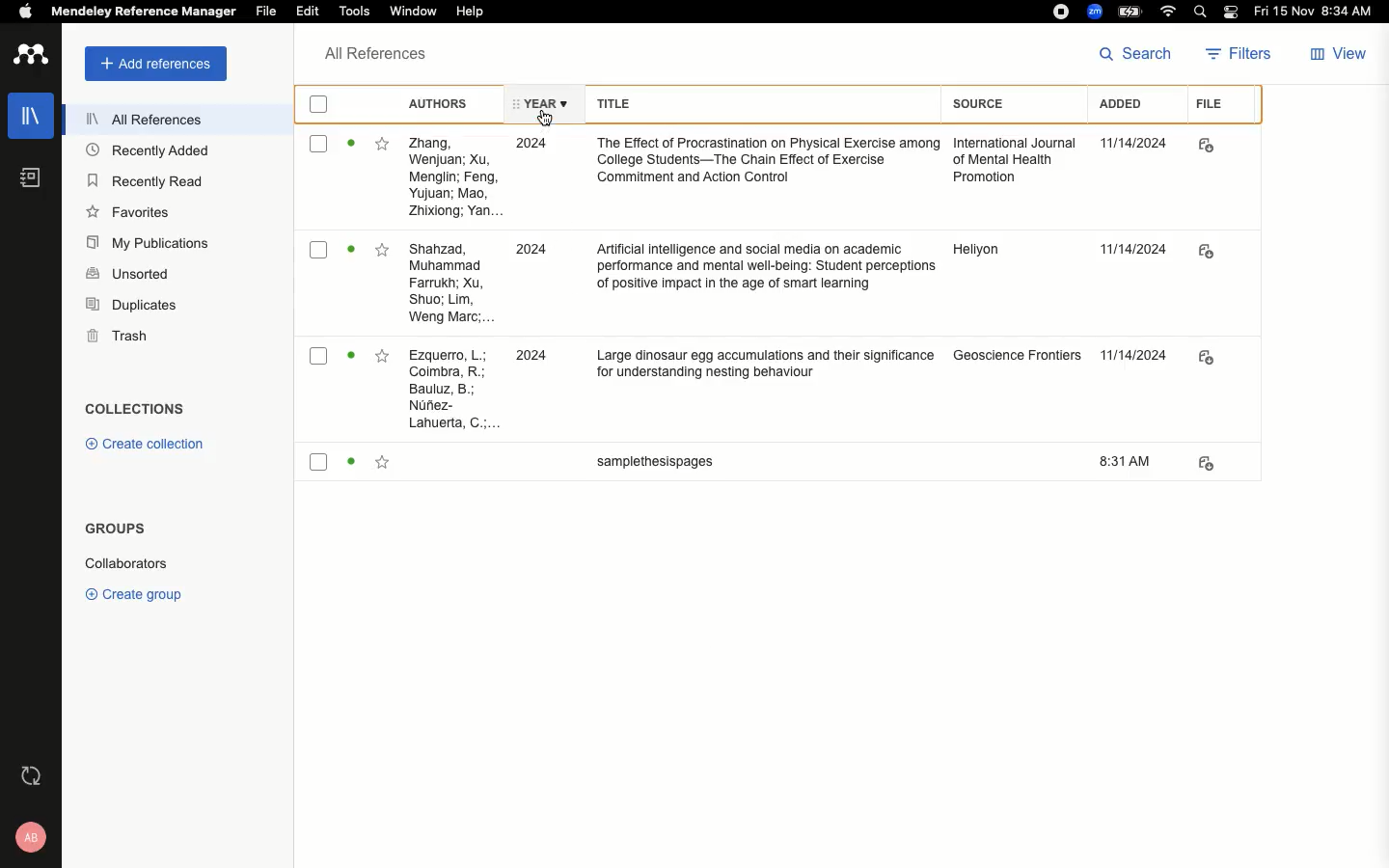  I want to click on All references, so click(142, 119).